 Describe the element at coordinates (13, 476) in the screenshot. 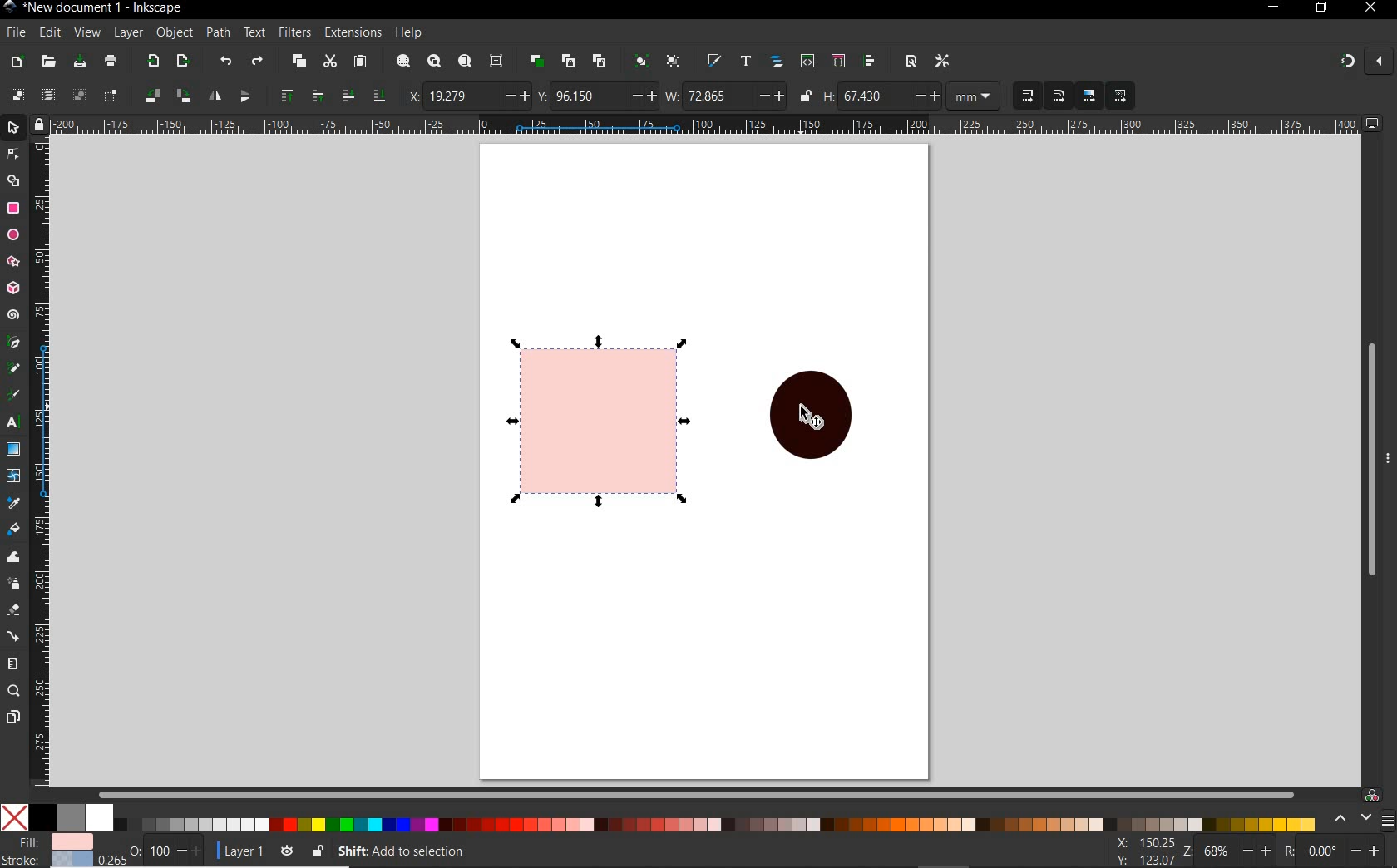

I see `mesh tool` at that location.